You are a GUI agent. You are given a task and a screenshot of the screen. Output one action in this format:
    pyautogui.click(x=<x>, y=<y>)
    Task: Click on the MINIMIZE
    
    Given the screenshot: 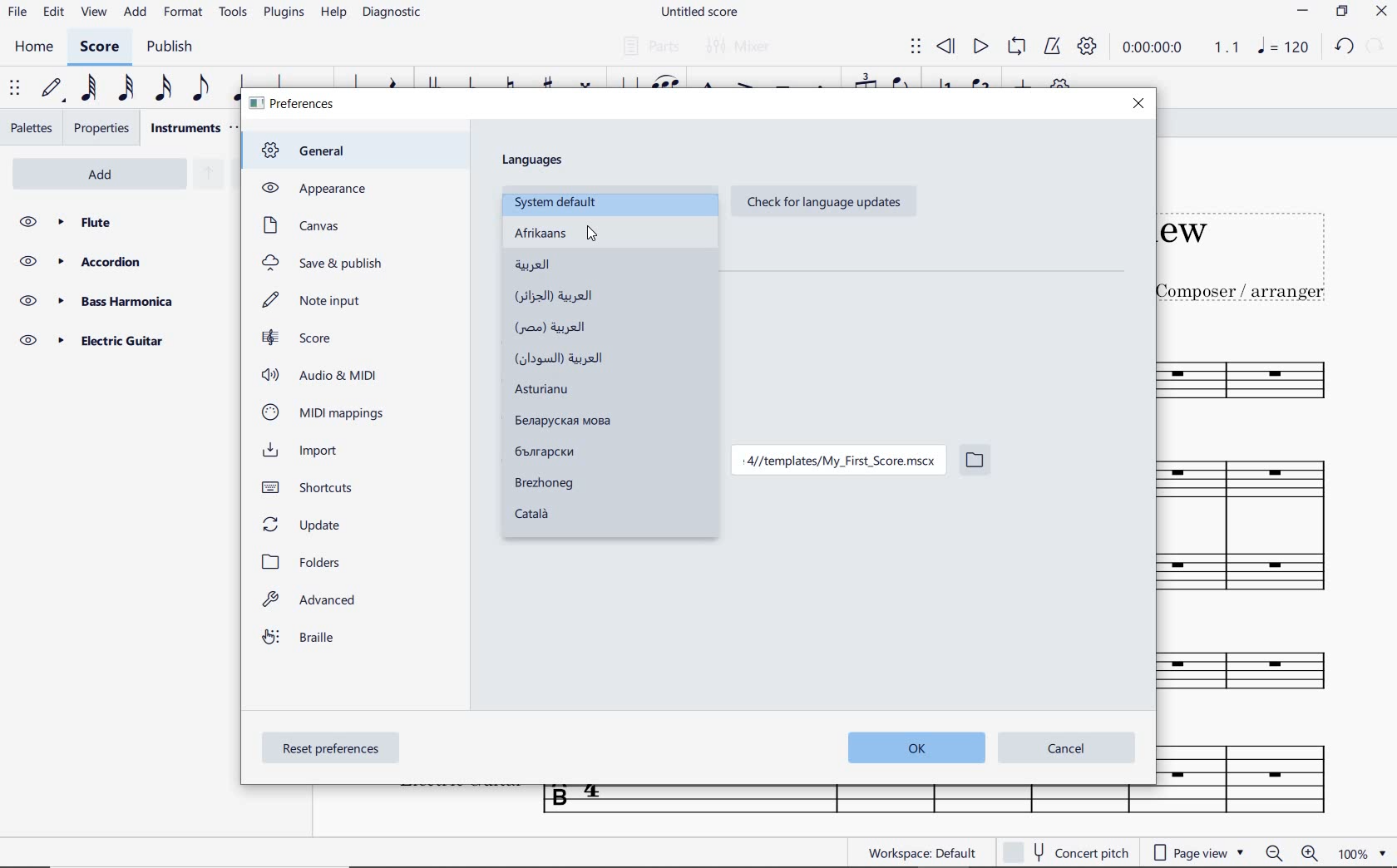 What is the action you would take?
    pyautogui.click(x=1305, y=13)
    